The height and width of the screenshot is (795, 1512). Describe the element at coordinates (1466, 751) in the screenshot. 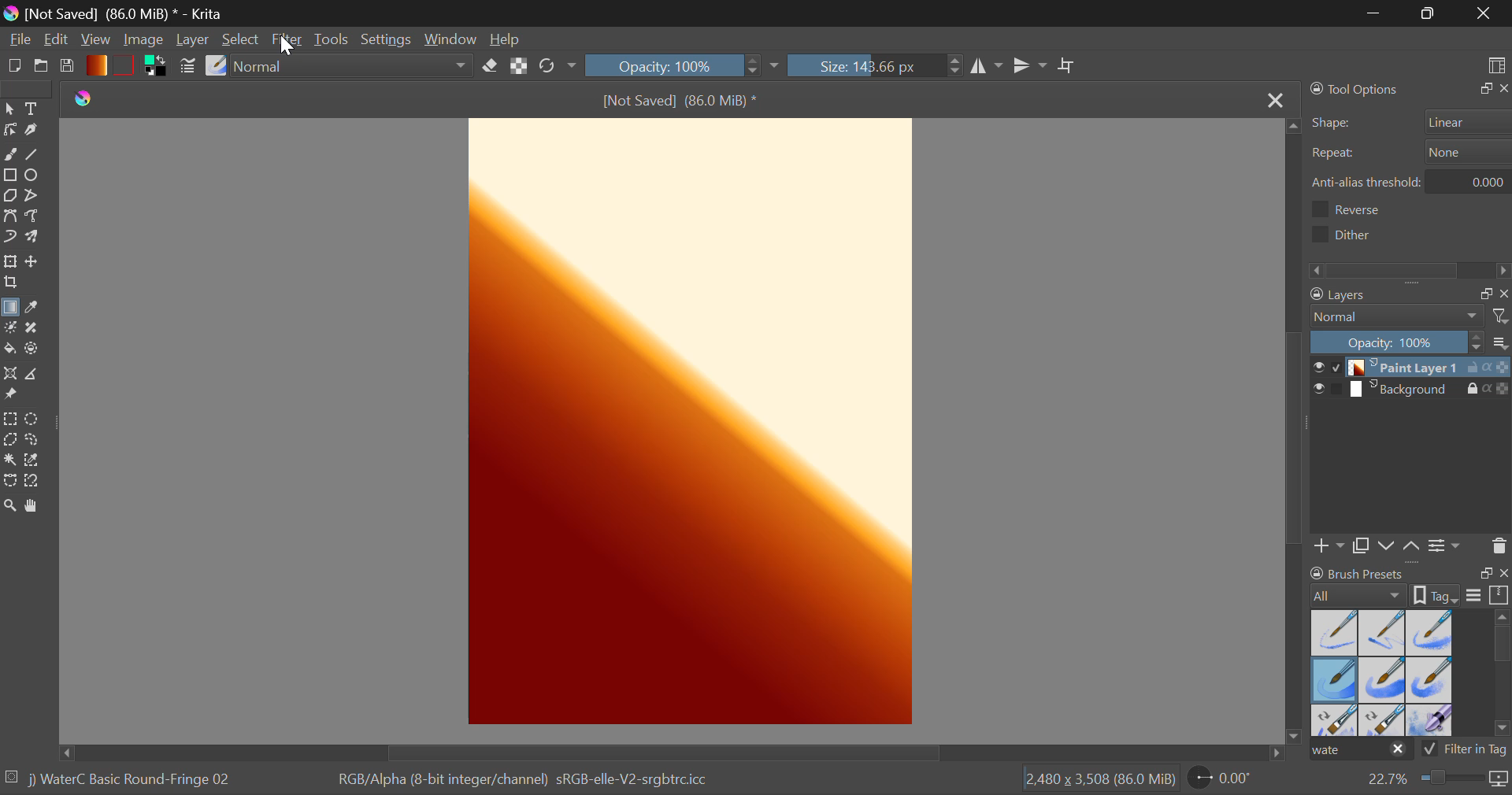

I see `tag filter` at that location.